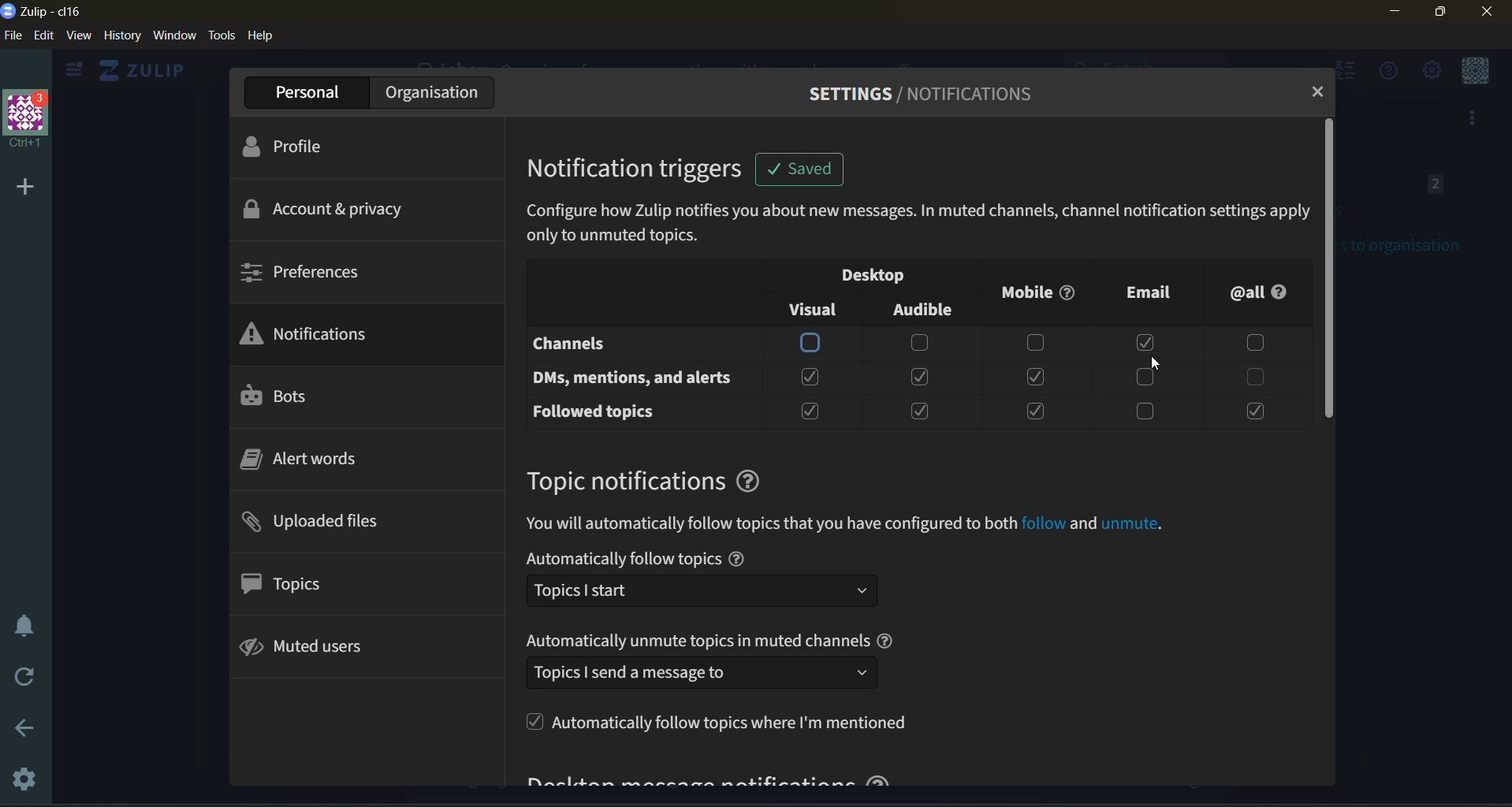 Image resolution: width=1512 pixels, height=807 pixels. Describe the element at coordinates (323, 647) in the screenshot. I see `muted users` at that location.